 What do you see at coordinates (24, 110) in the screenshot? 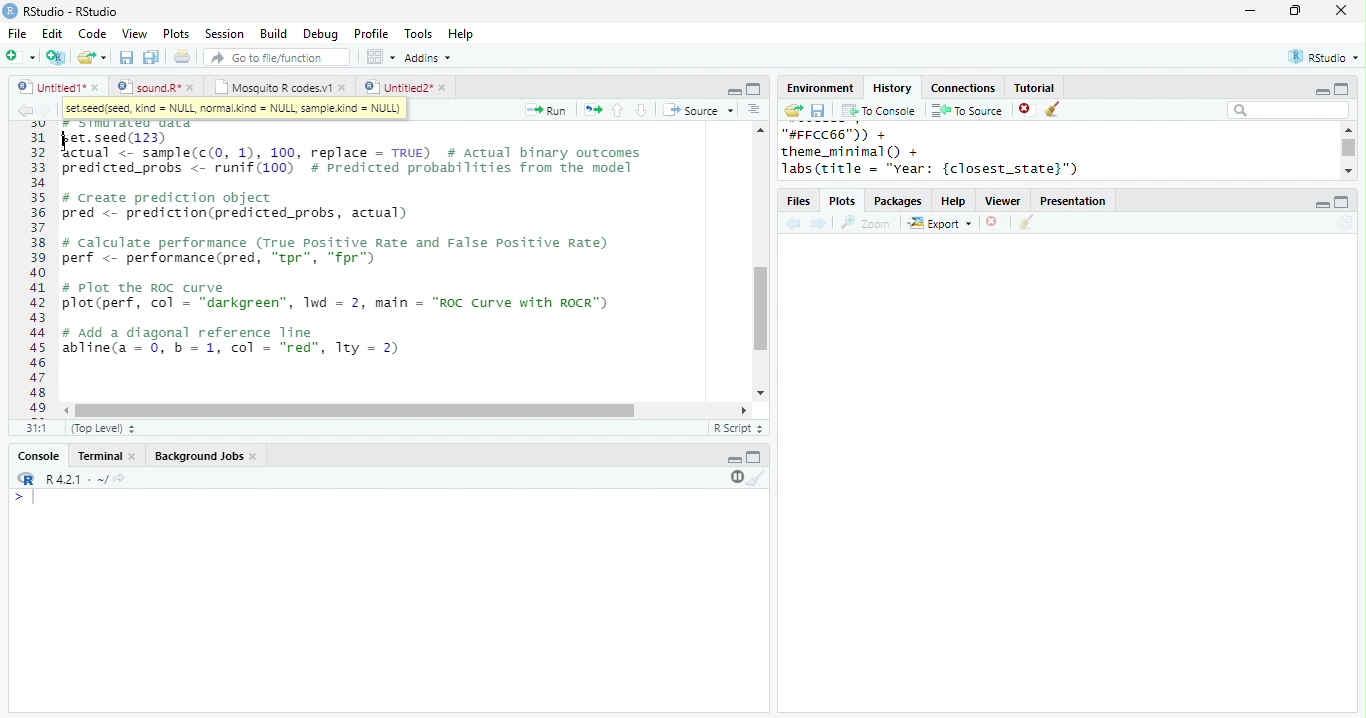
I see `backward` at bounding box center [24, 110].